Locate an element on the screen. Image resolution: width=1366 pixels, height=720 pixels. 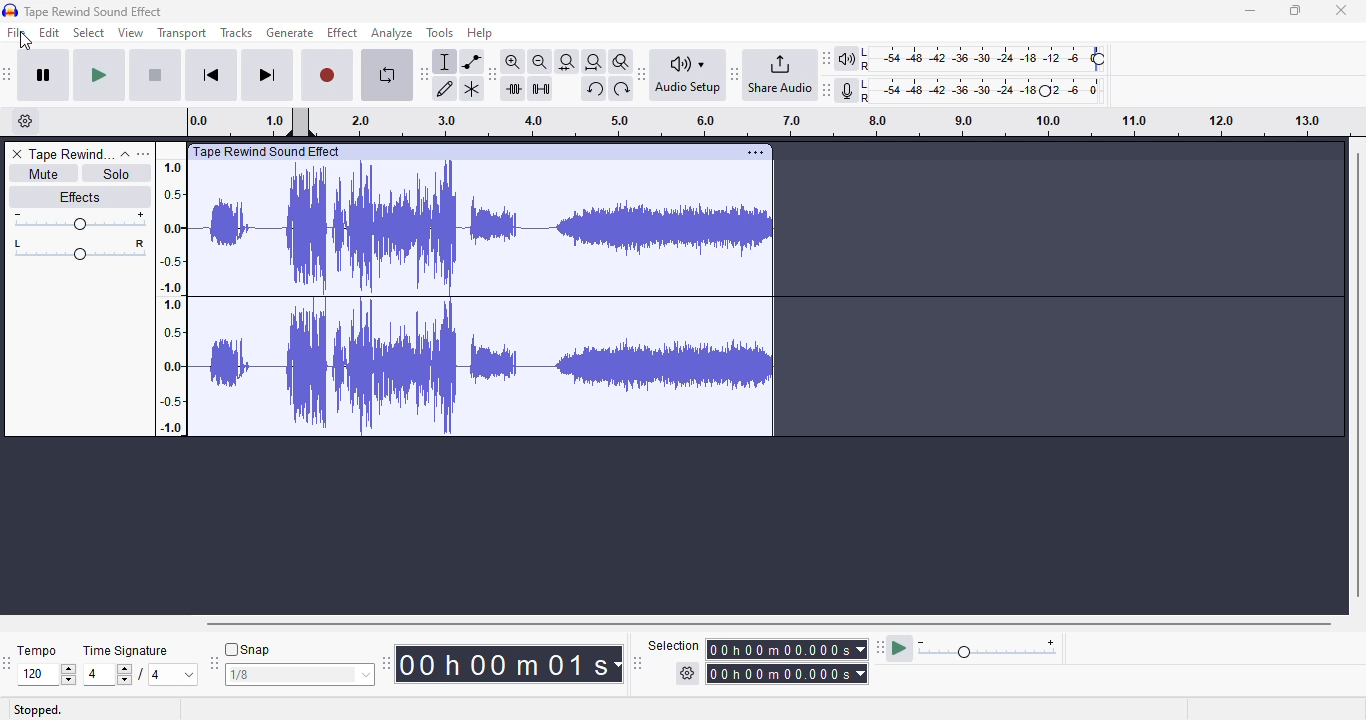
audacity audio setup toolbar is located at coordinates (682, 76).